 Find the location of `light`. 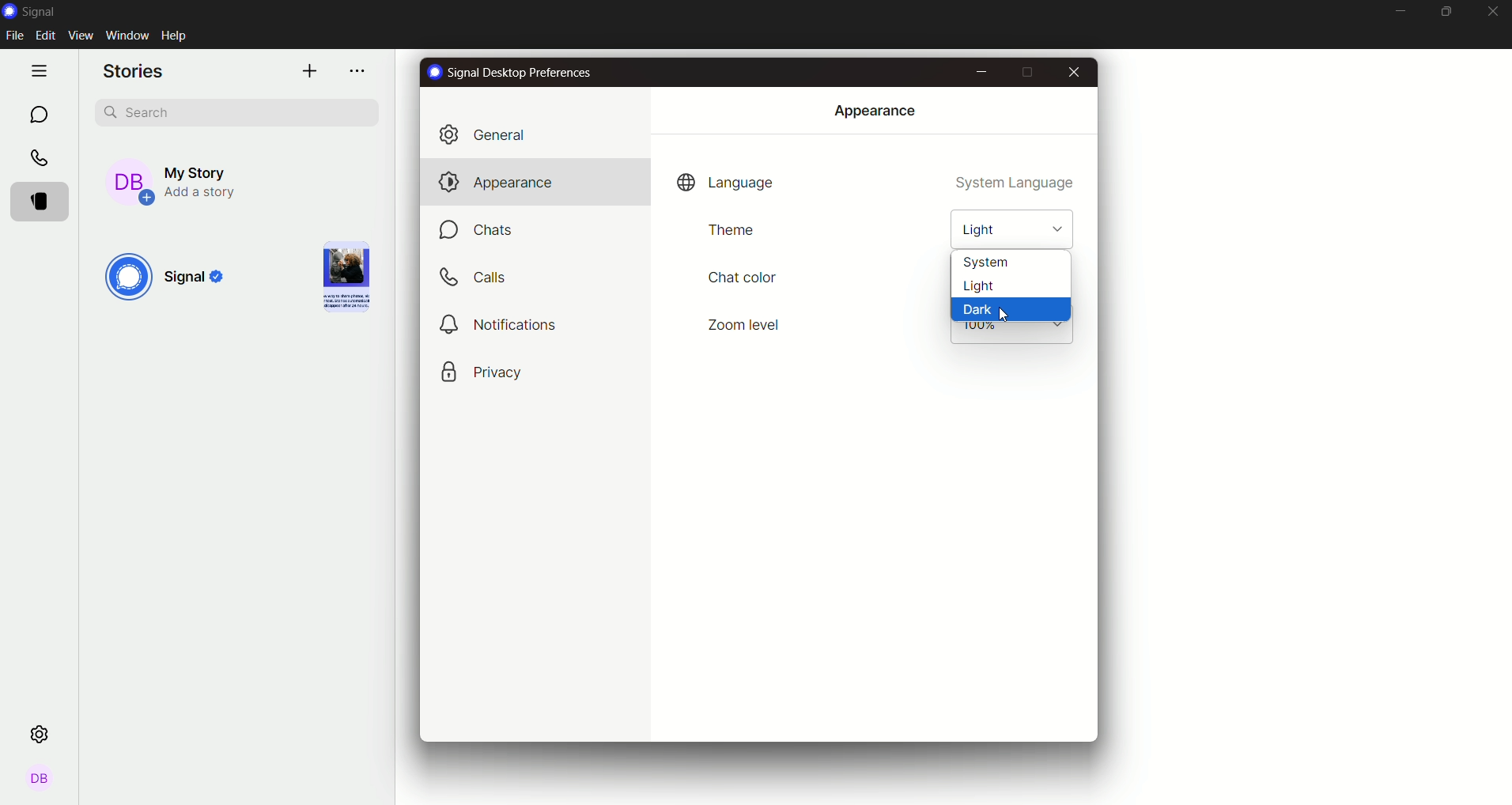

light is located at coordinates (1010, 225).